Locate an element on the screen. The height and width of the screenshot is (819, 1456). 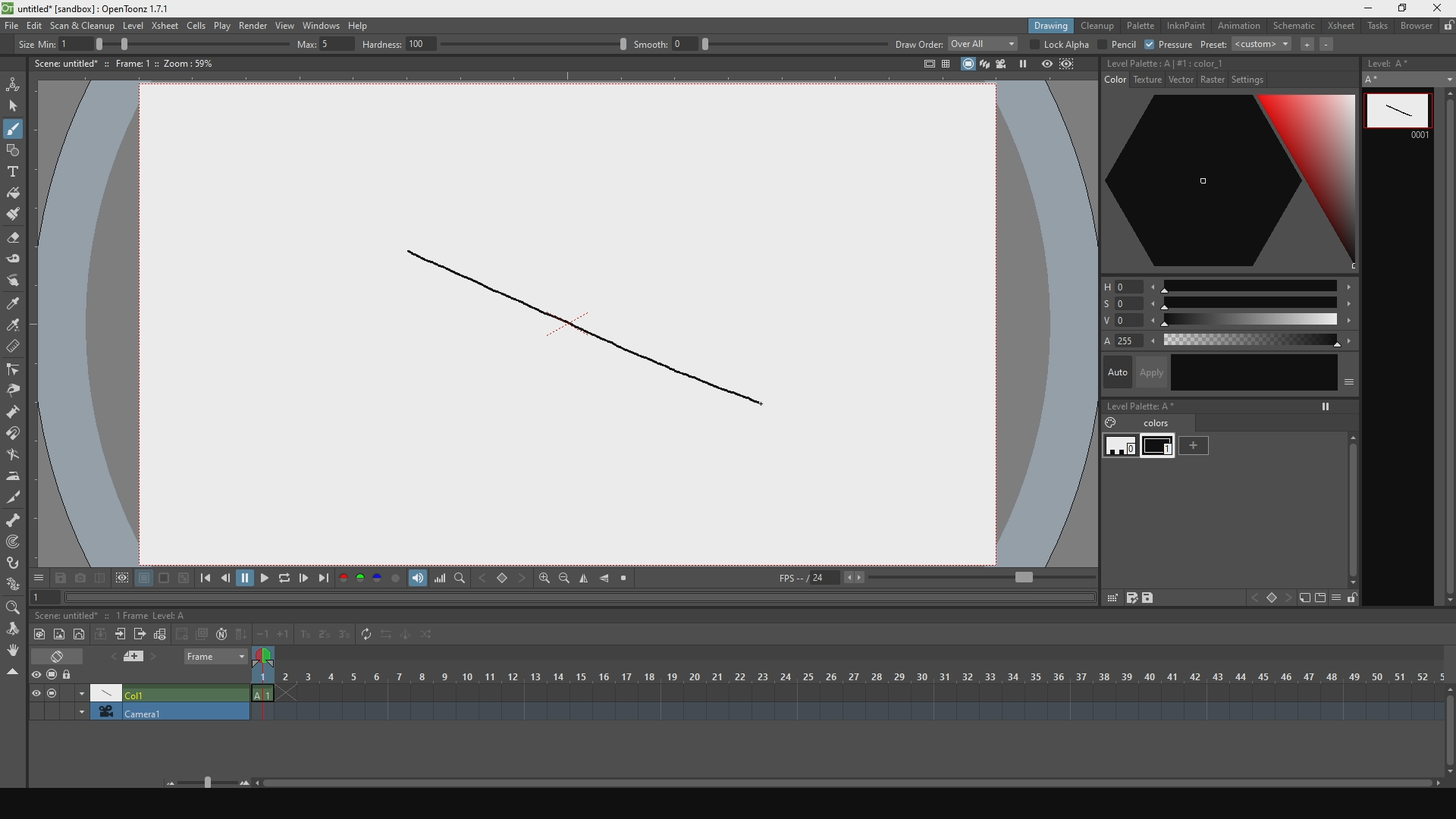
browser is located at coordinates (1417, 29).